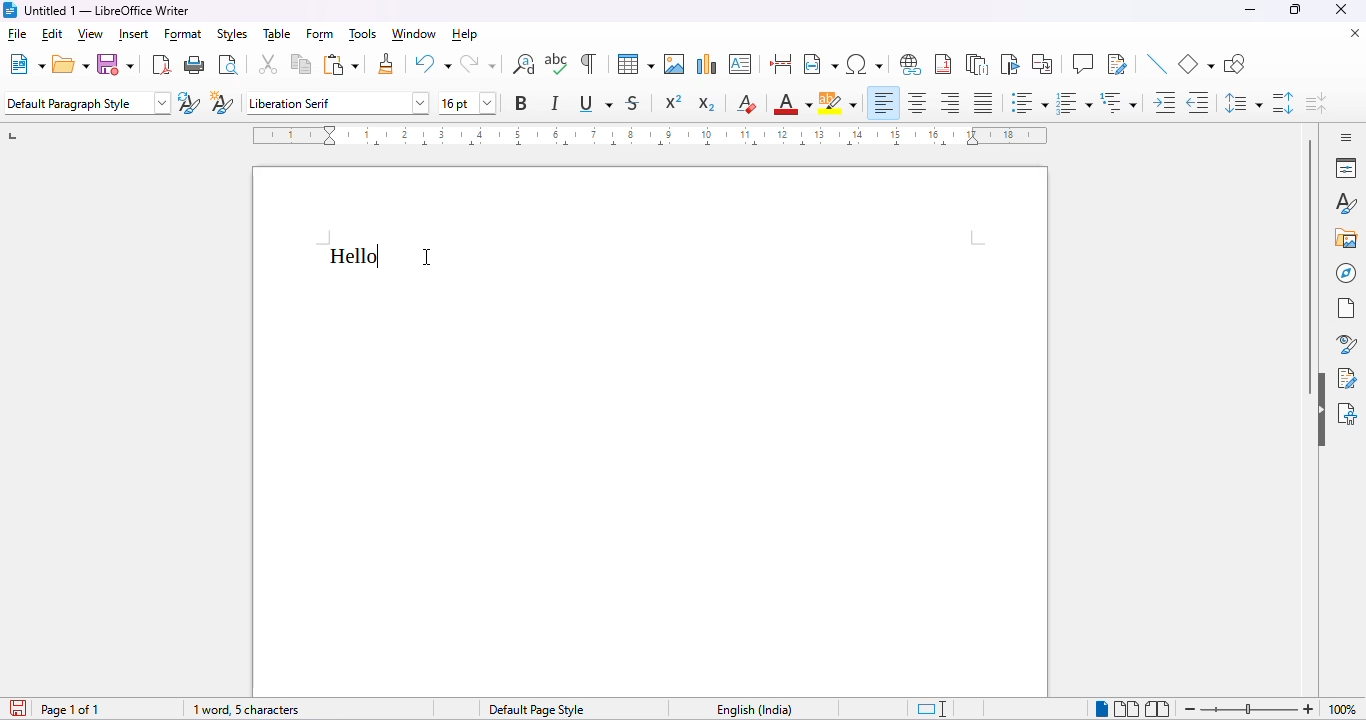 The width and height of the screenshot is (1366, 720). I want to click on increase indent, so click(1165, 103).